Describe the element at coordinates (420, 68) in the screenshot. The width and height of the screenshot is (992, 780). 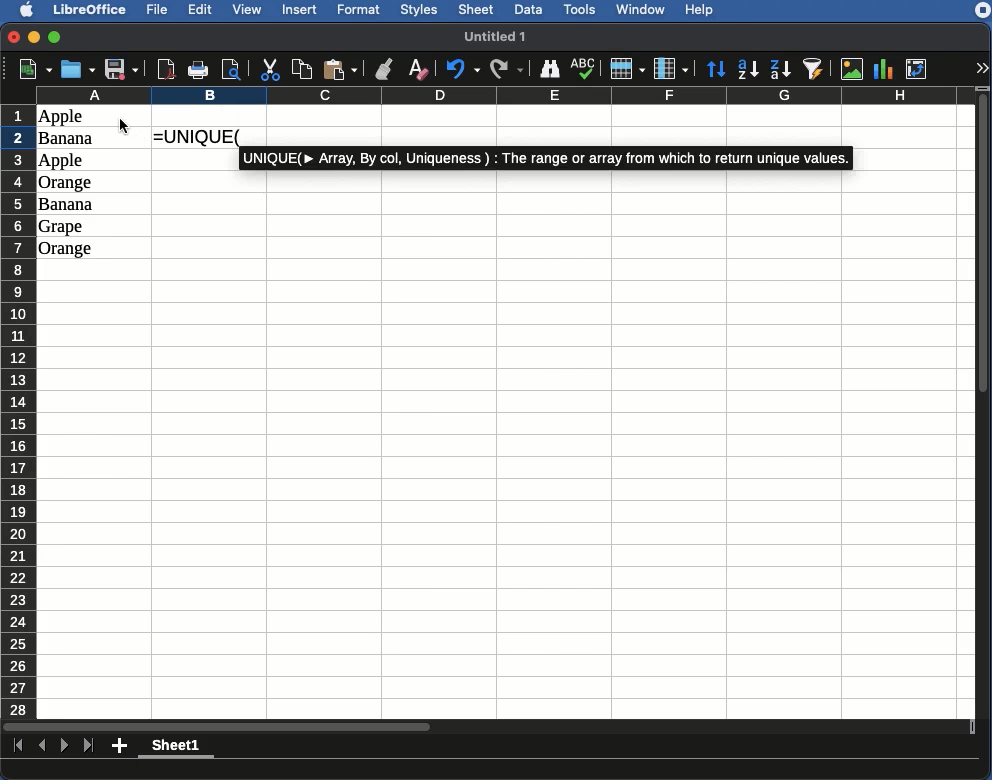
I see `Clear formatting` at that location.